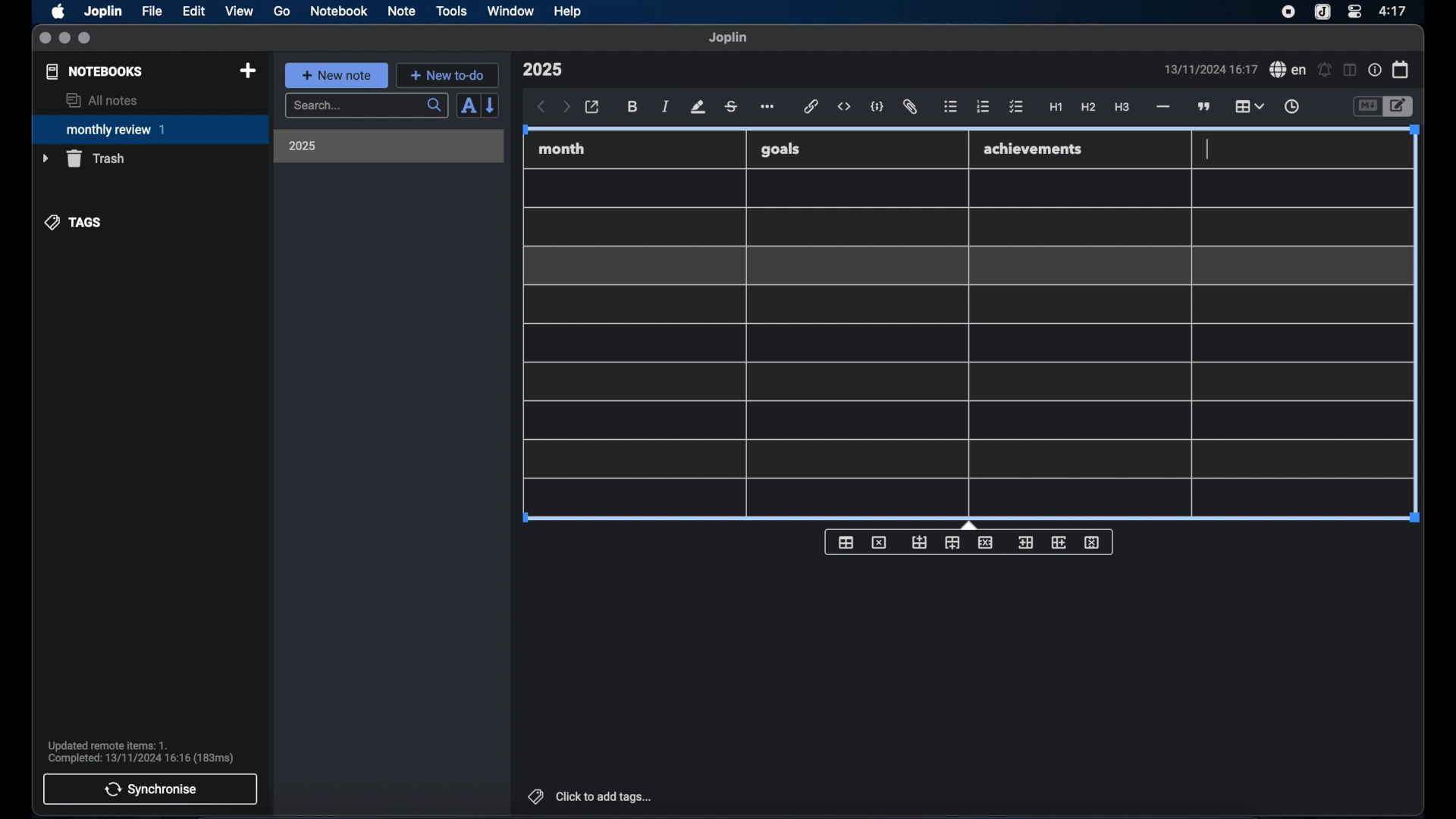 The width and height of the screenshot is (1456, 819). I want to click on bold, so click(634, 107).